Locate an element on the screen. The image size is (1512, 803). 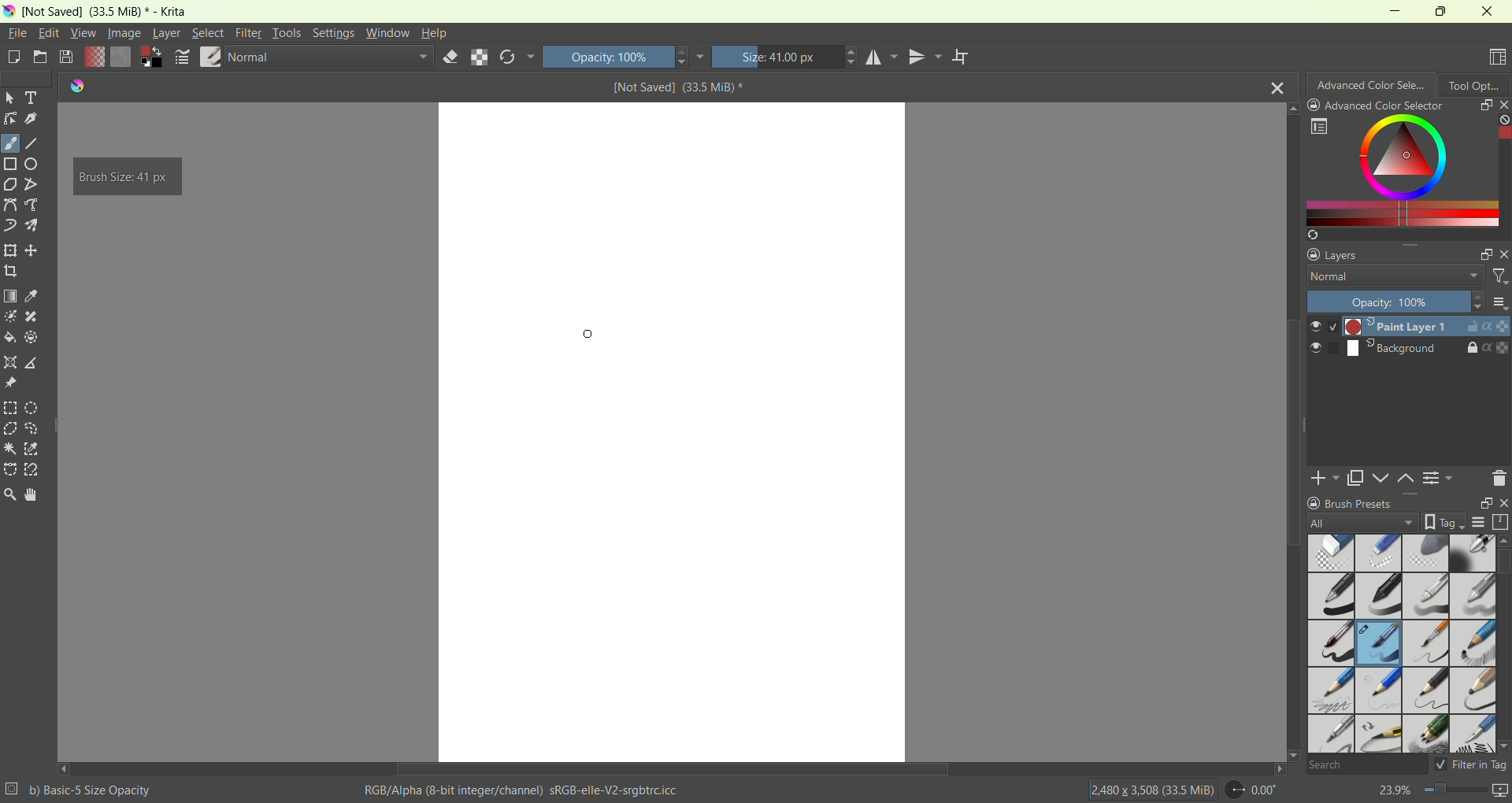
line is located at coordinates (32, 144).